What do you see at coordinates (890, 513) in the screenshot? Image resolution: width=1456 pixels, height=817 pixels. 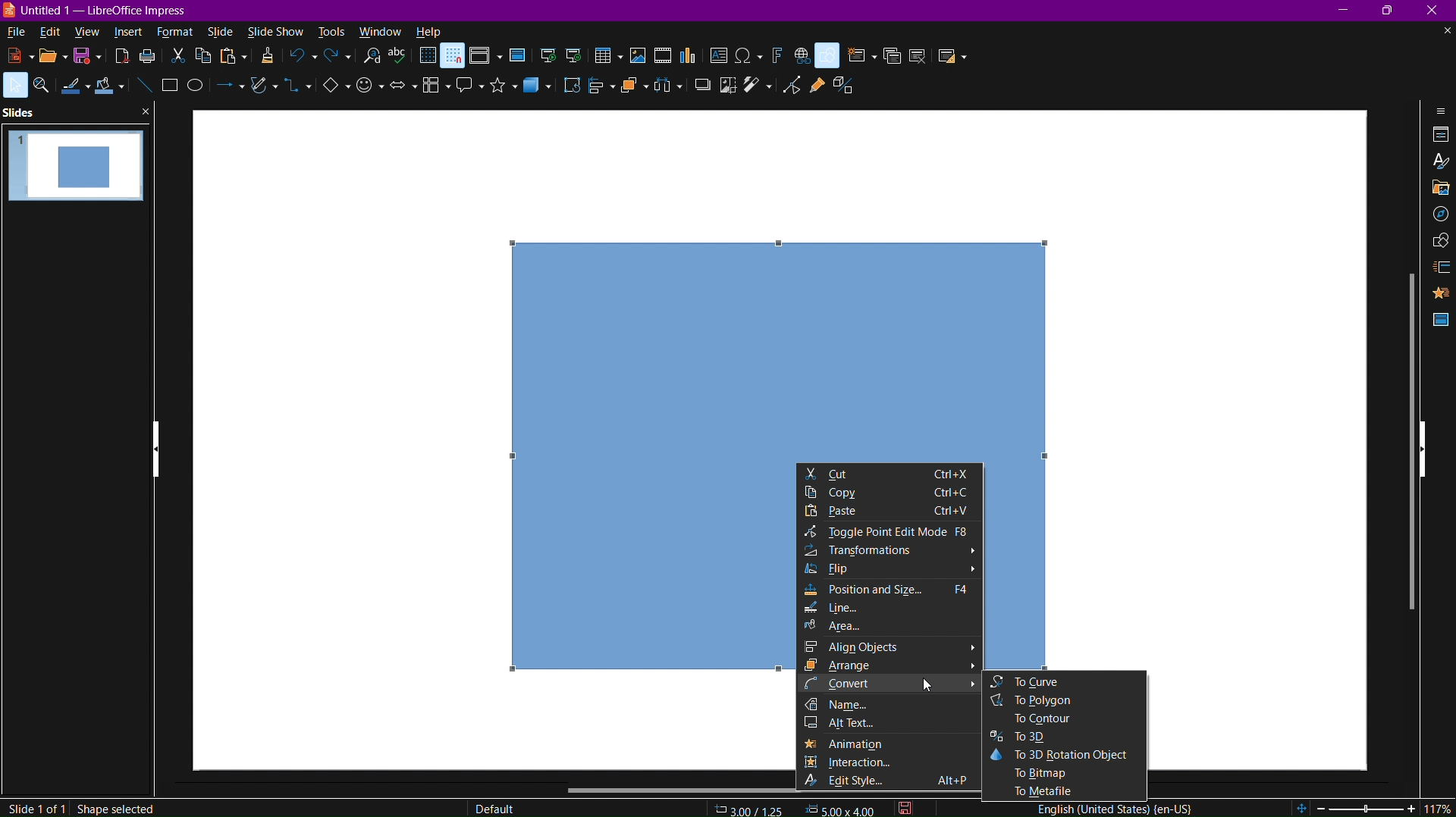 I see `Paste` at bounding box center [890, 513].